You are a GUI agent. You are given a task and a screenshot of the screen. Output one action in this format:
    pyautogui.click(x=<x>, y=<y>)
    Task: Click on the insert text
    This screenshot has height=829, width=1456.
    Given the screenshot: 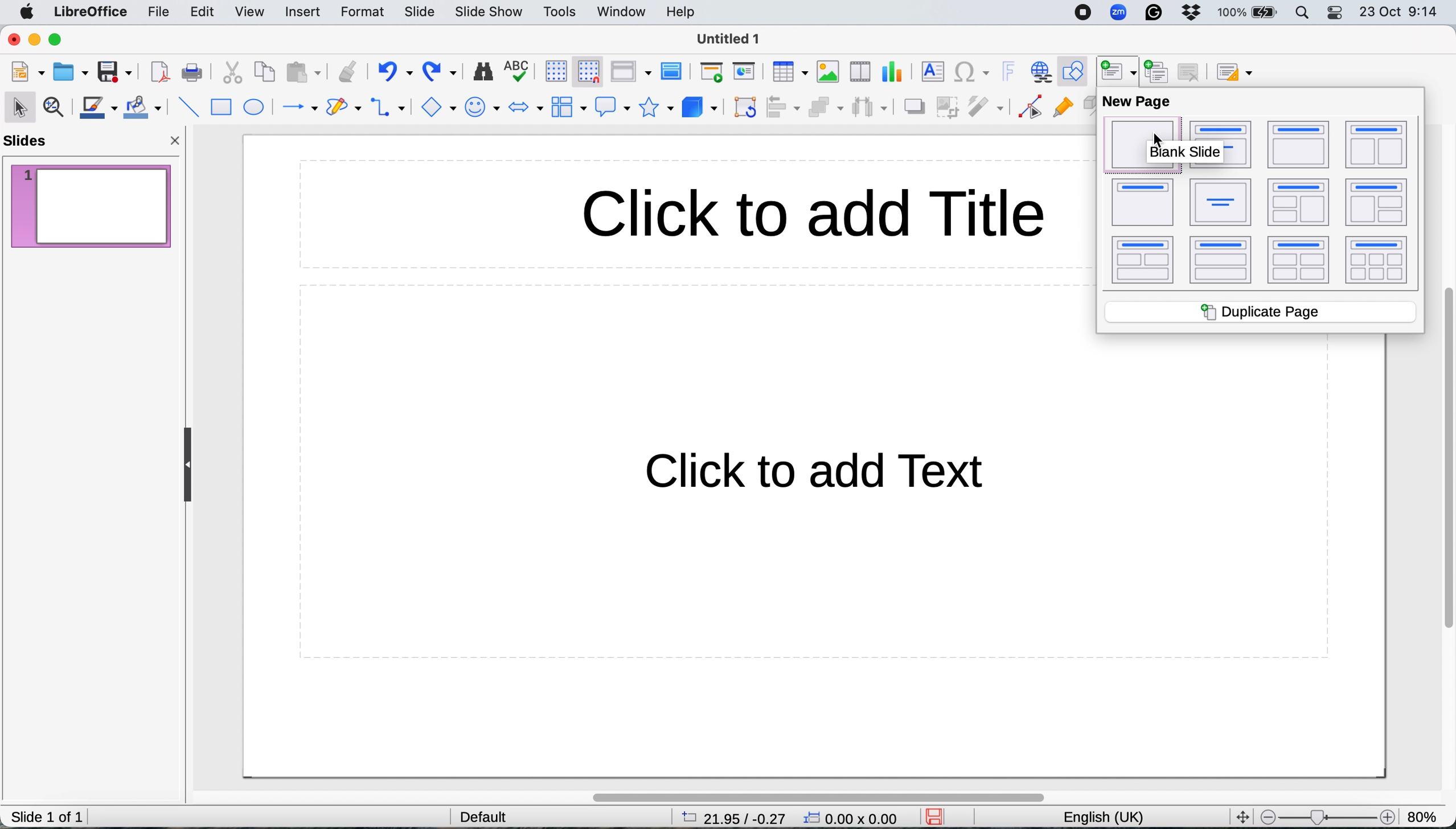 What is the action you would take?
    pyautogui.click(x=931, y=73)
    